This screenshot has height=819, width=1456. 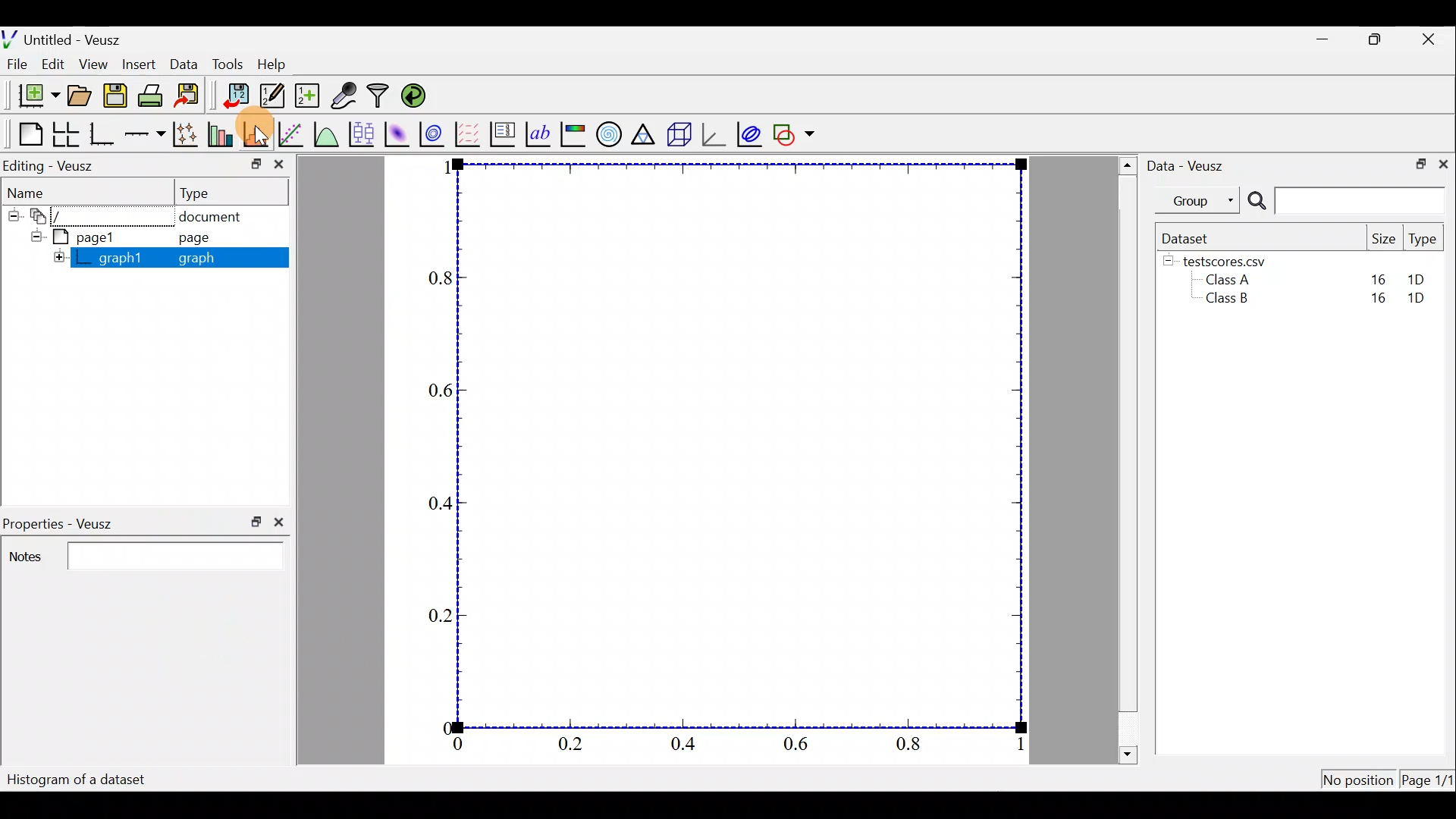 I want to click on Edit, so click(x=56, y=64).